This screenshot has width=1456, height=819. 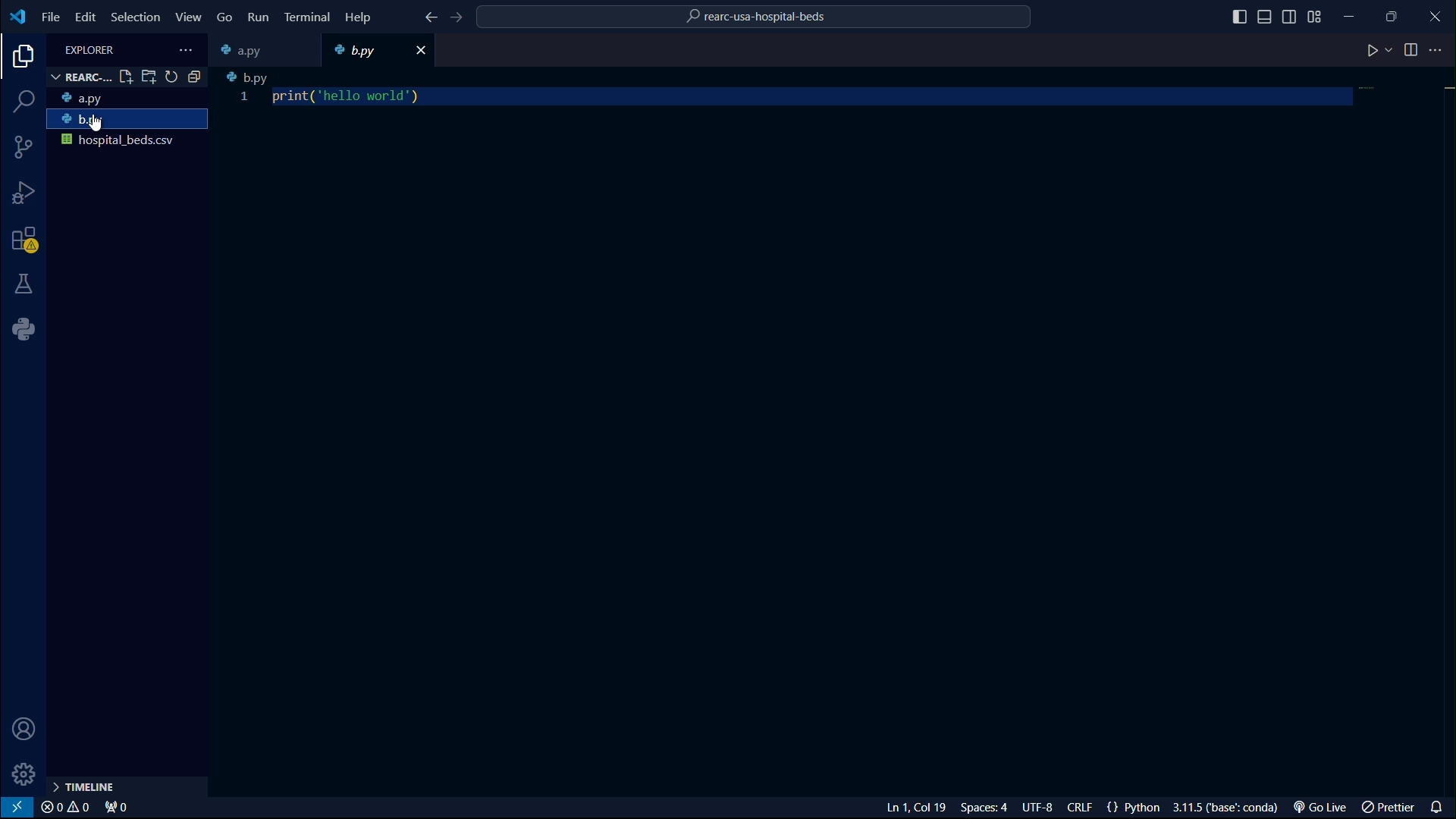 What do you see at coordinates (89, 47) in the screenshot?
I see `EXPLORER` at bounding box center [89, 47].